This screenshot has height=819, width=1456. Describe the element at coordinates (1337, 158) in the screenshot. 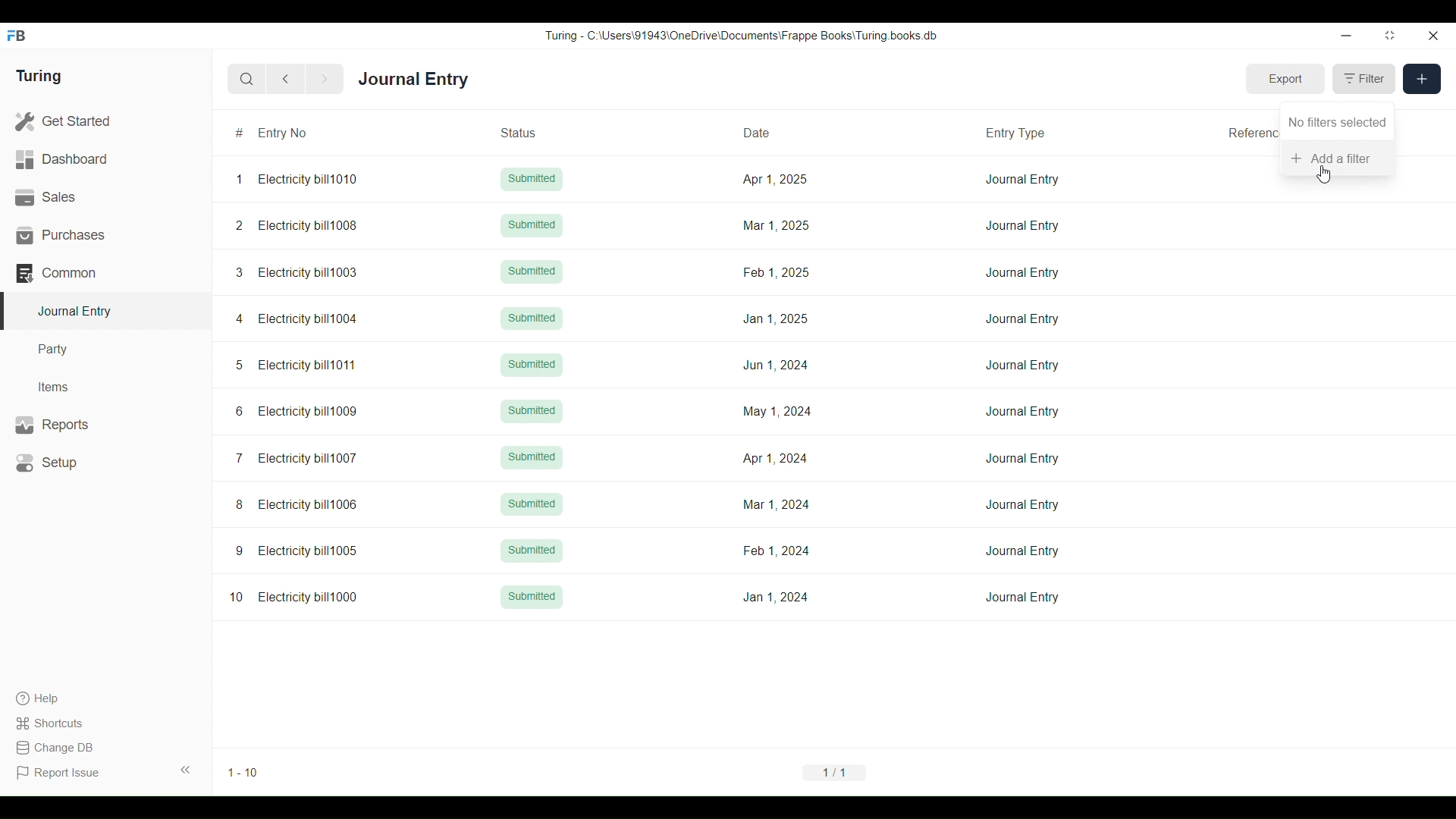

I see `Add a filter` at that location.